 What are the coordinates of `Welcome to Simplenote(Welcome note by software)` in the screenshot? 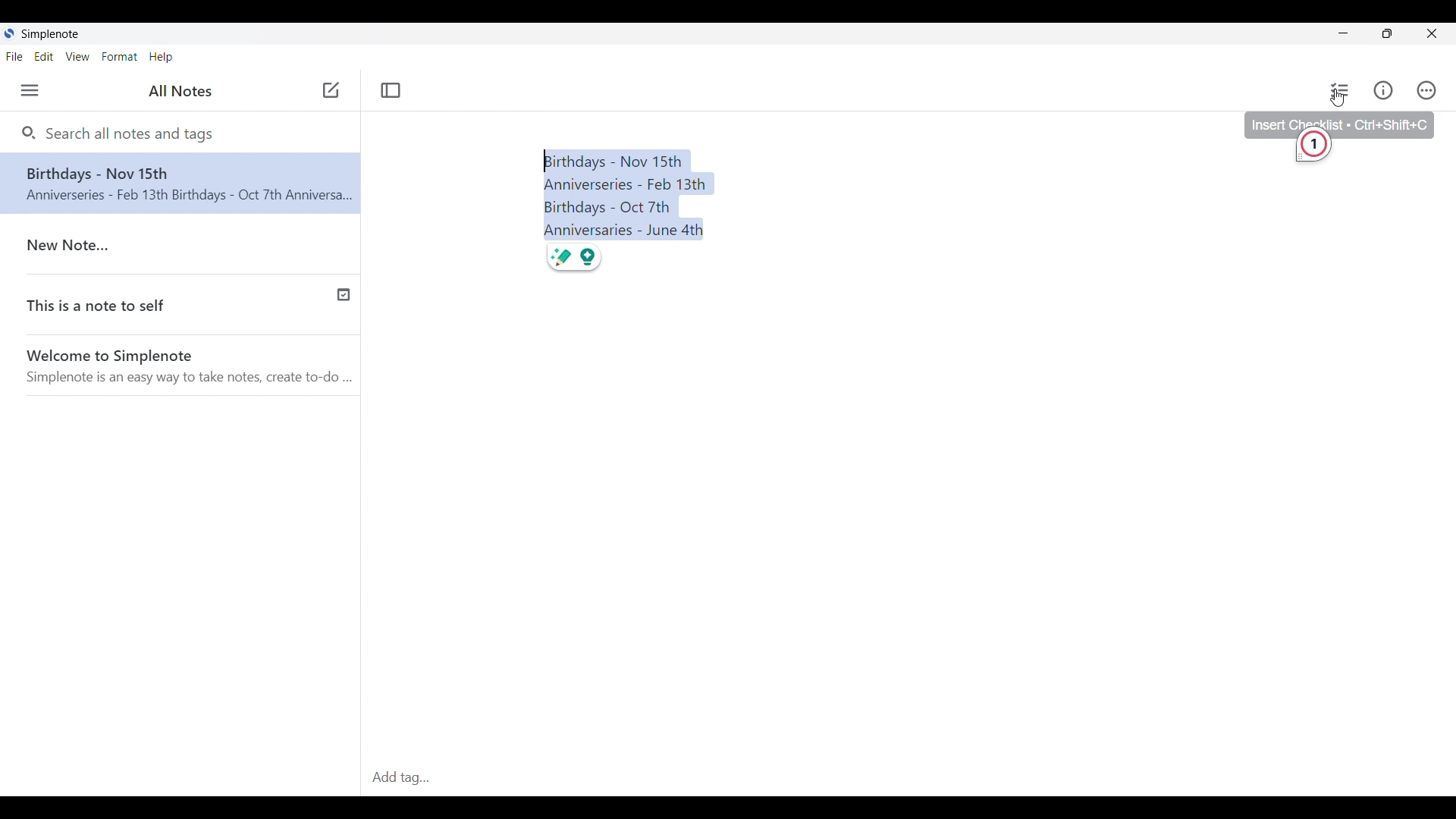 It's located at (190, 367).